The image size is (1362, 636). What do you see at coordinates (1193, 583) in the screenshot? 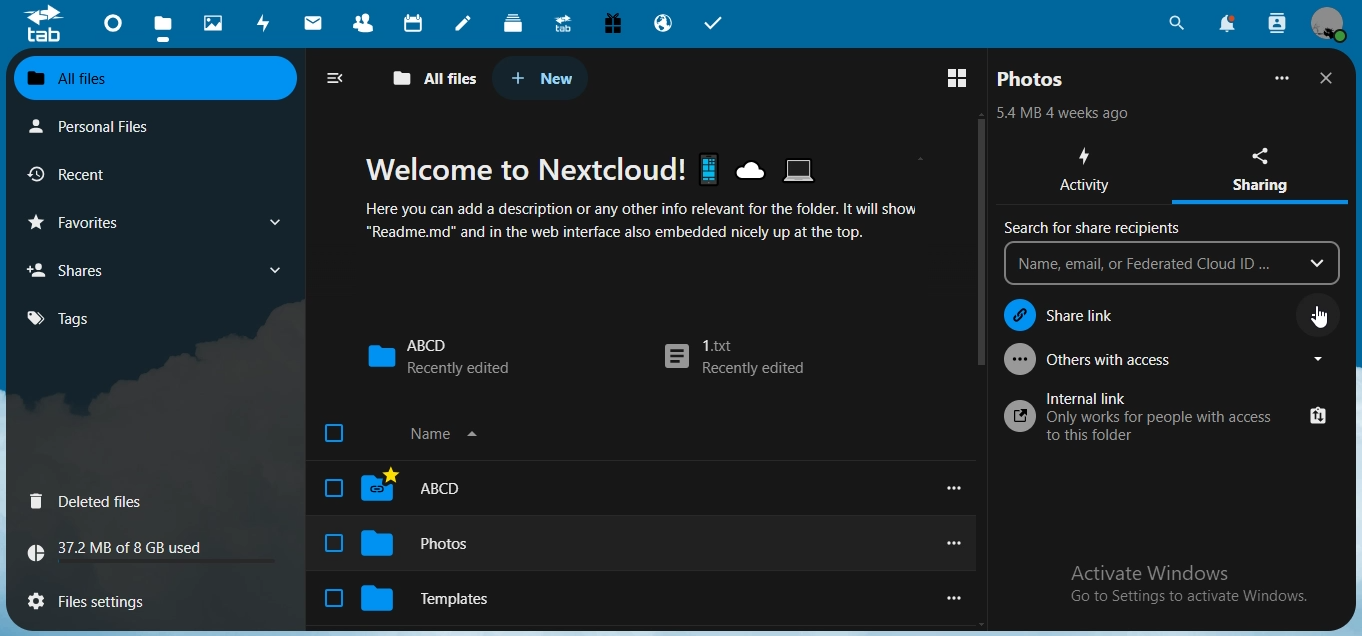
I see `text` at bounding box center [1193, 583].